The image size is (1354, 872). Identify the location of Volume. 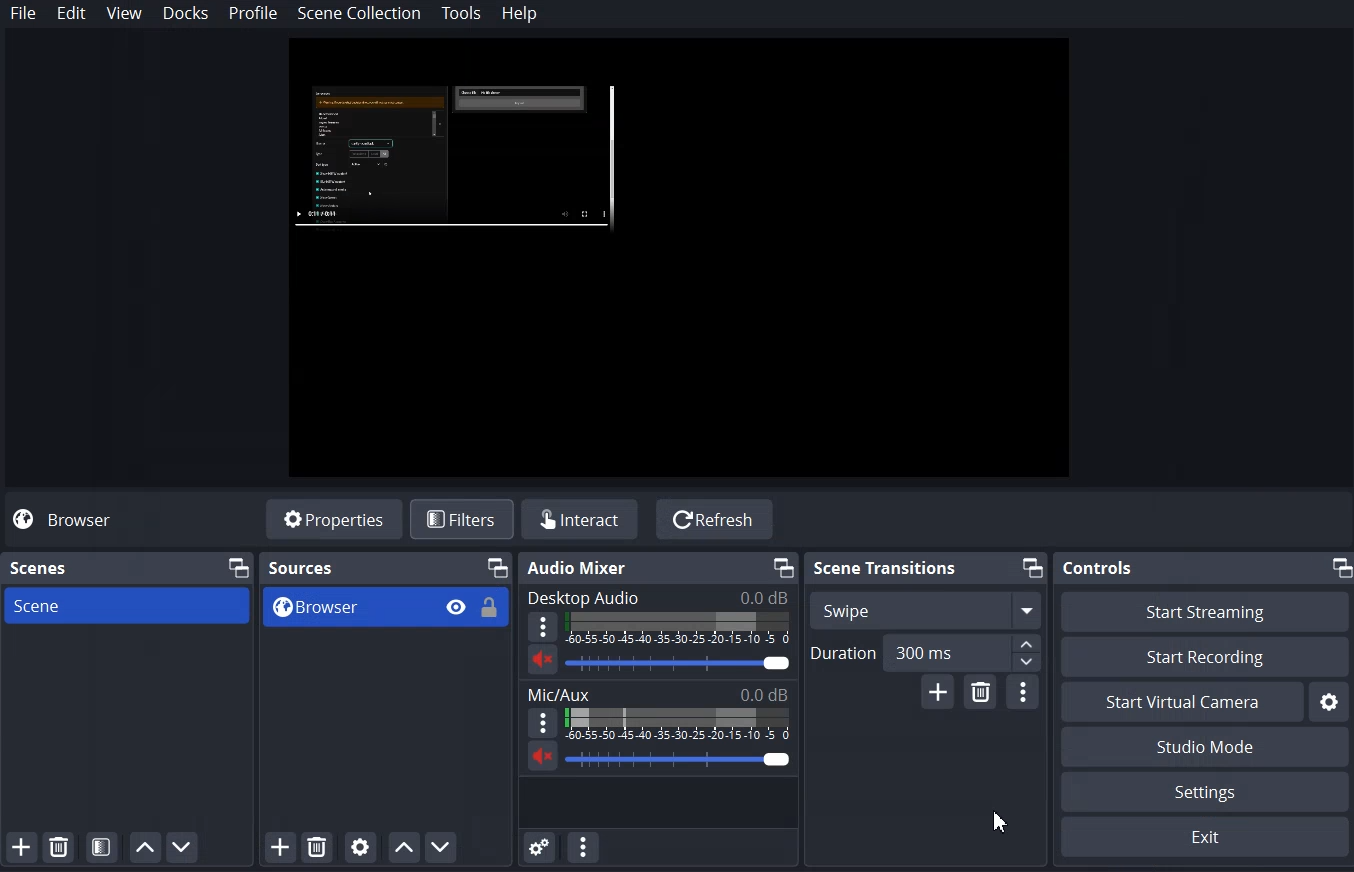
(543, 755).